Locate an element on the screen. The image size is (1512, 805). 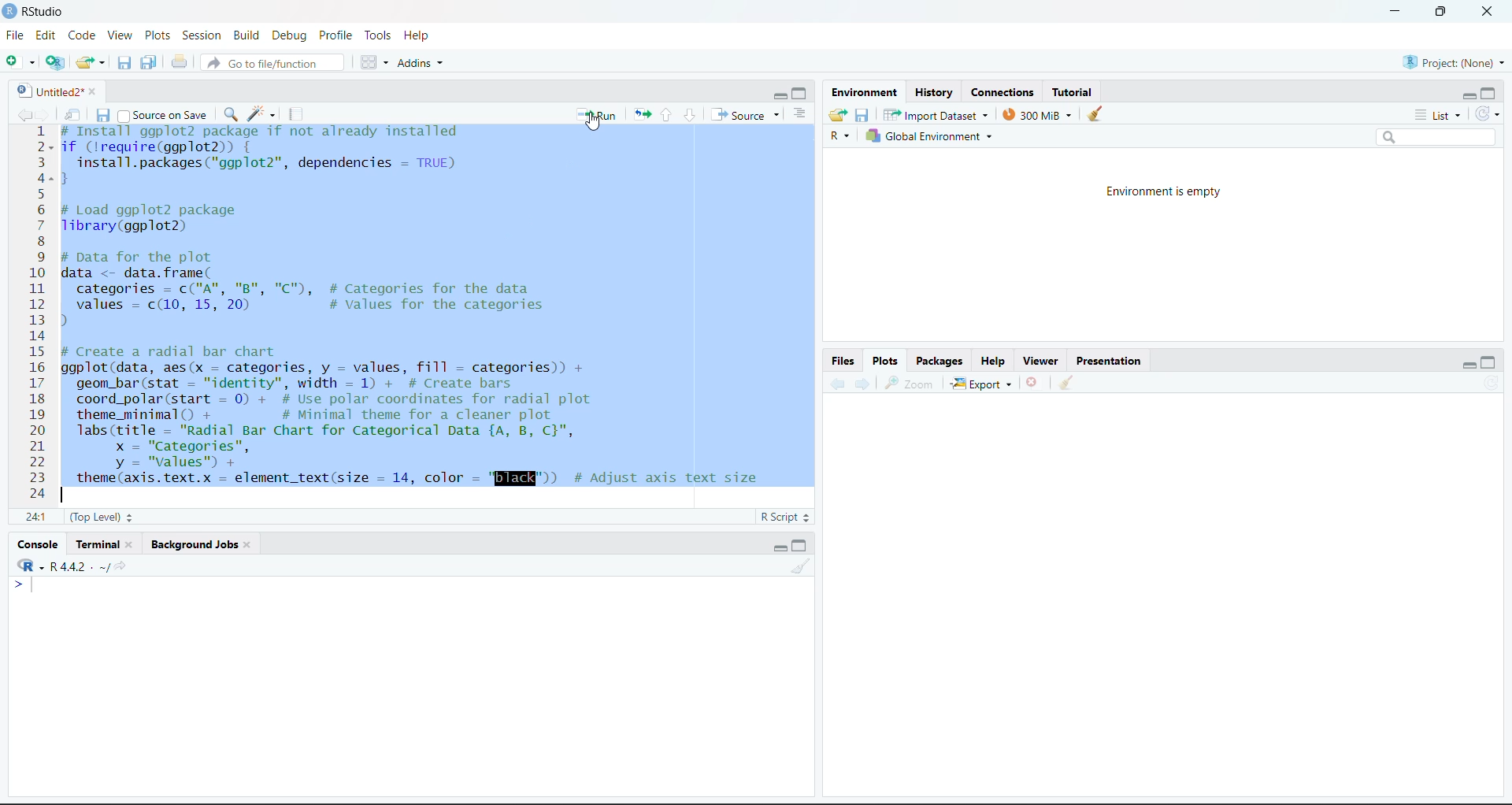
print the current file is located at coordinates (176, 62).